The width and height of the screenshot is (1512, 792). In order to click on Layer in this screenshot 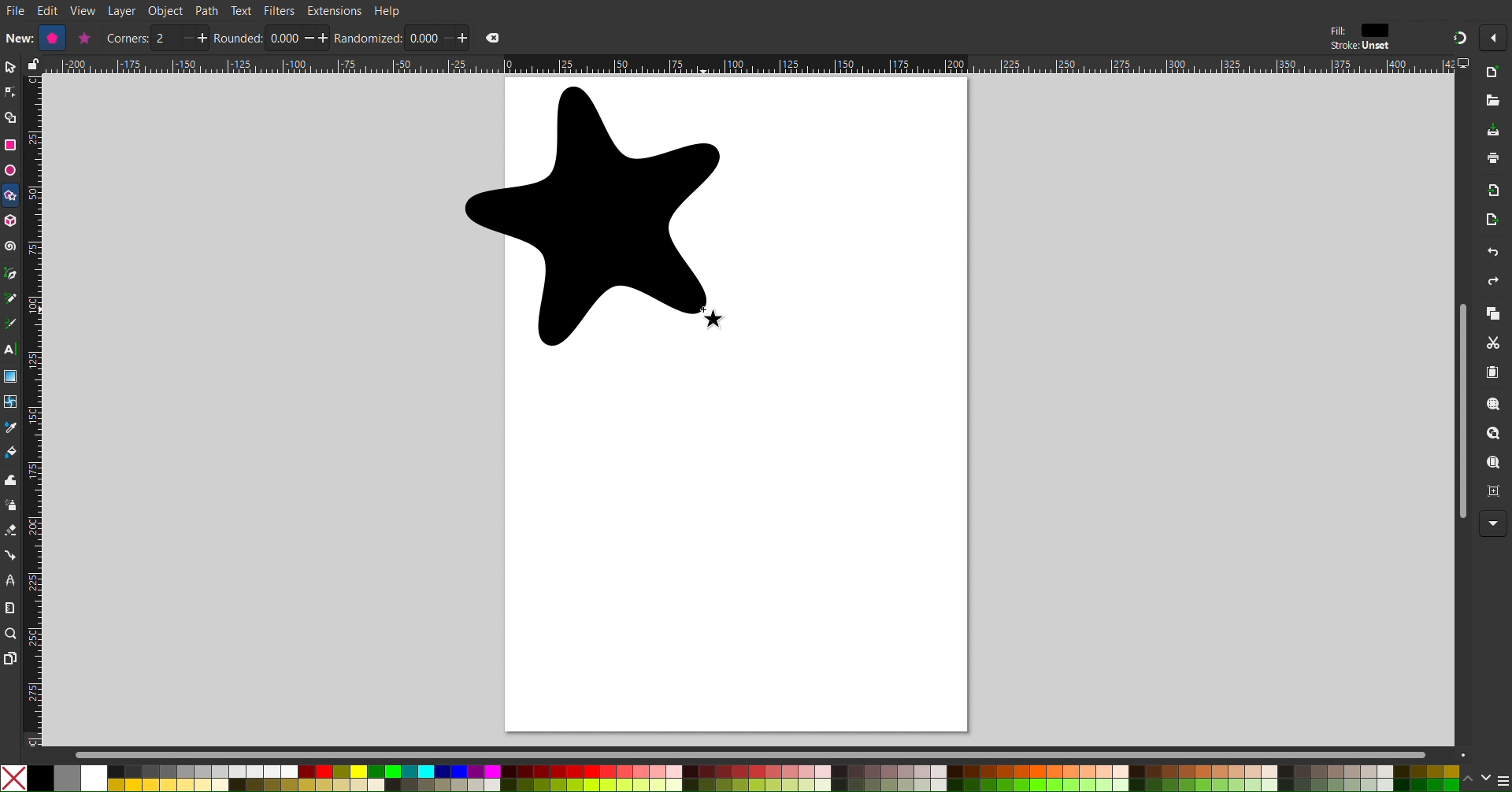, I will do `click(121, 11)`.